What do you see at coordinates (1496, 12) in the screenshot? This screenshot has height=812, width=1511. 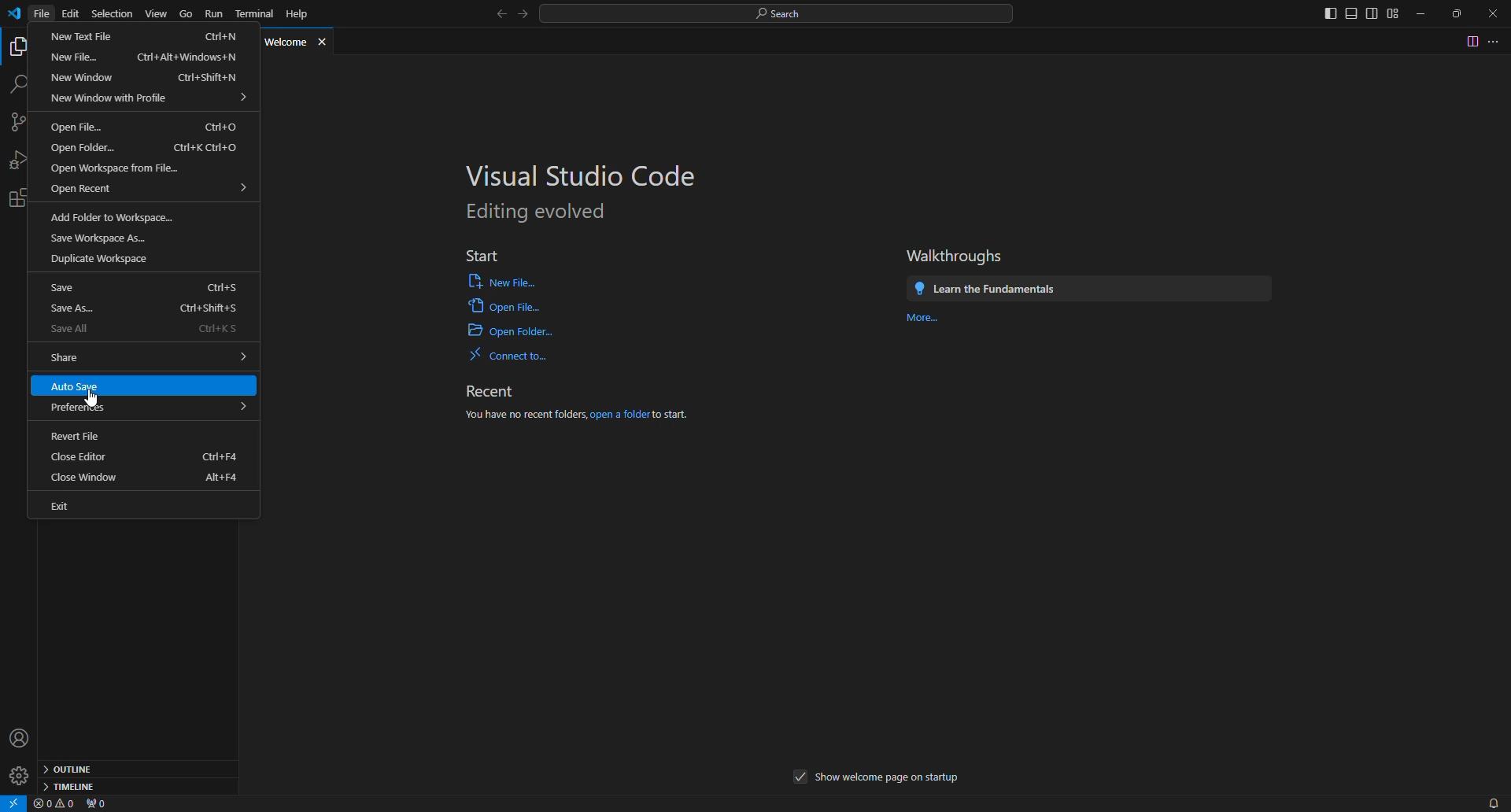 I see `close` at bounding box center [1496, 12].